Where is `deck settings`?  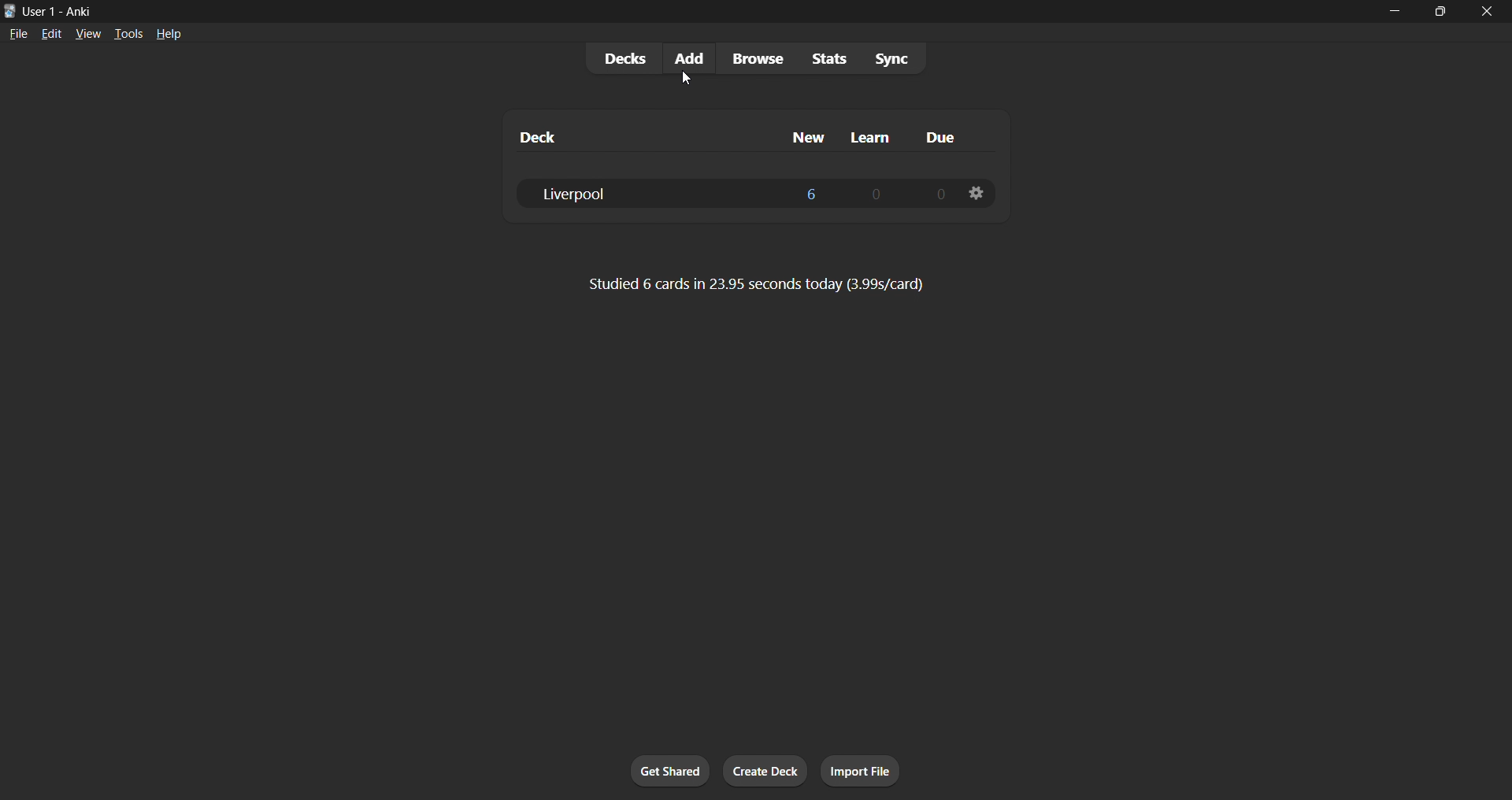 deck settings is located at coordinates (976, 193).